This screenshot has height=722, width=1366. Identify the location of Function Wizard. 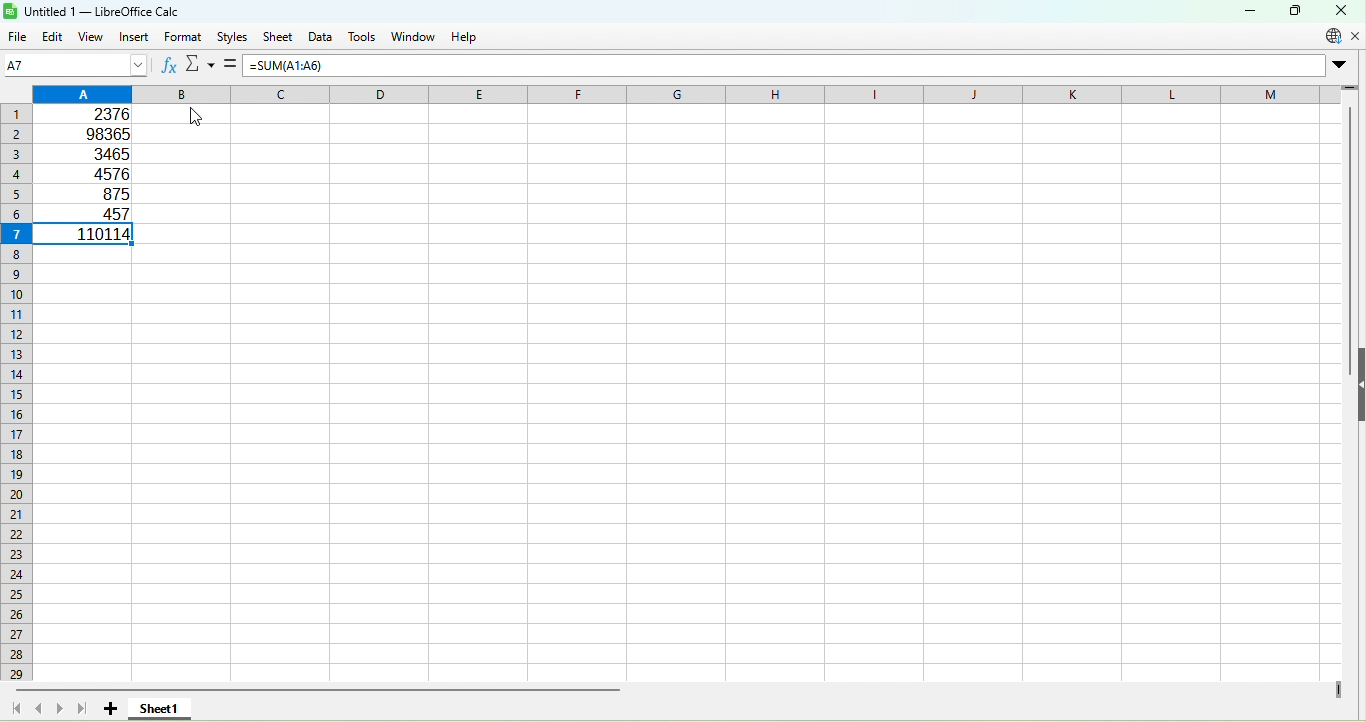
(170, 63).